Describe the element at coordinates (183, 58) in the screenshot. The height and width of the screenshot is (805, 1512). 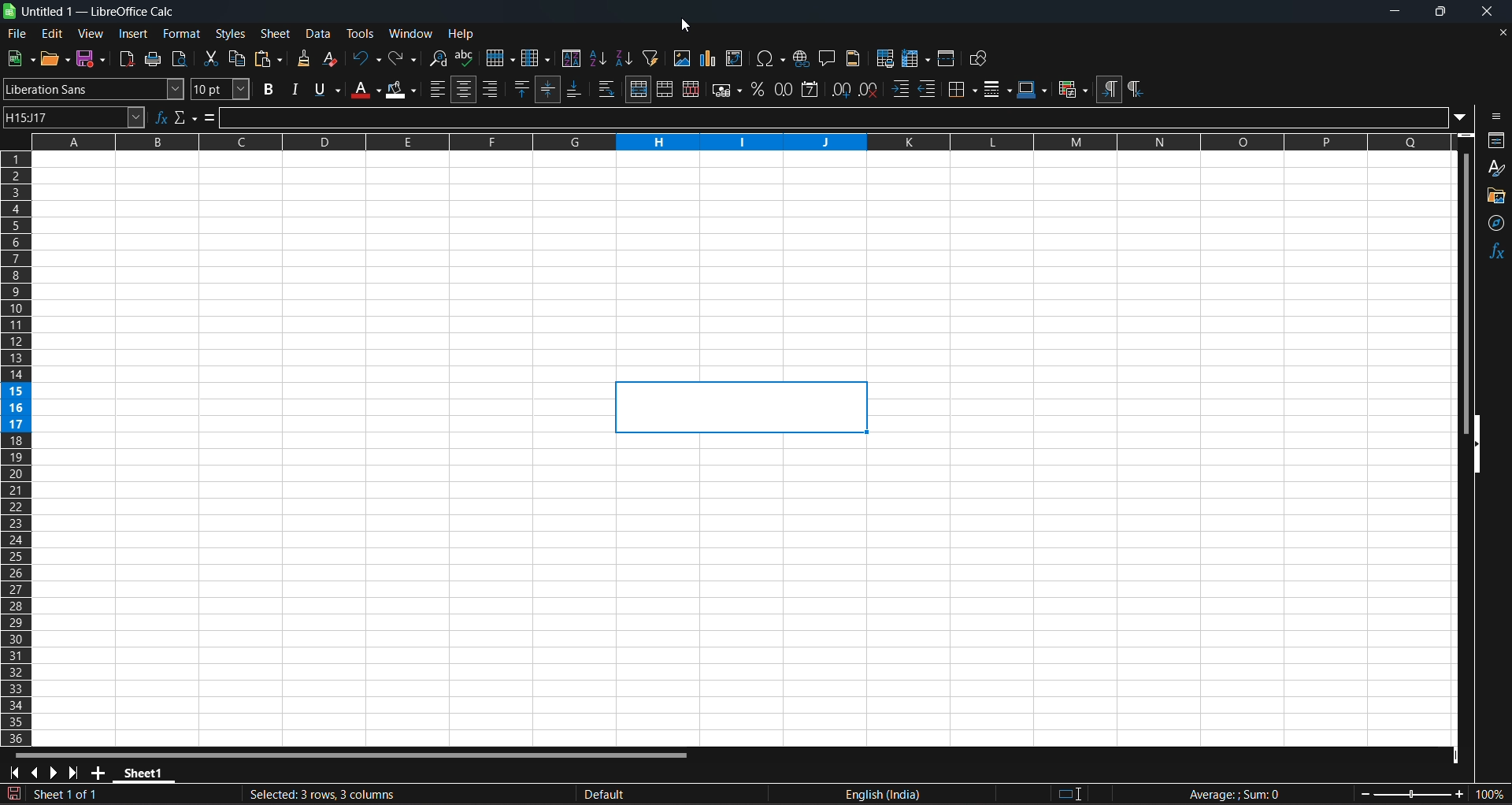
I see `toggle print` at that location.